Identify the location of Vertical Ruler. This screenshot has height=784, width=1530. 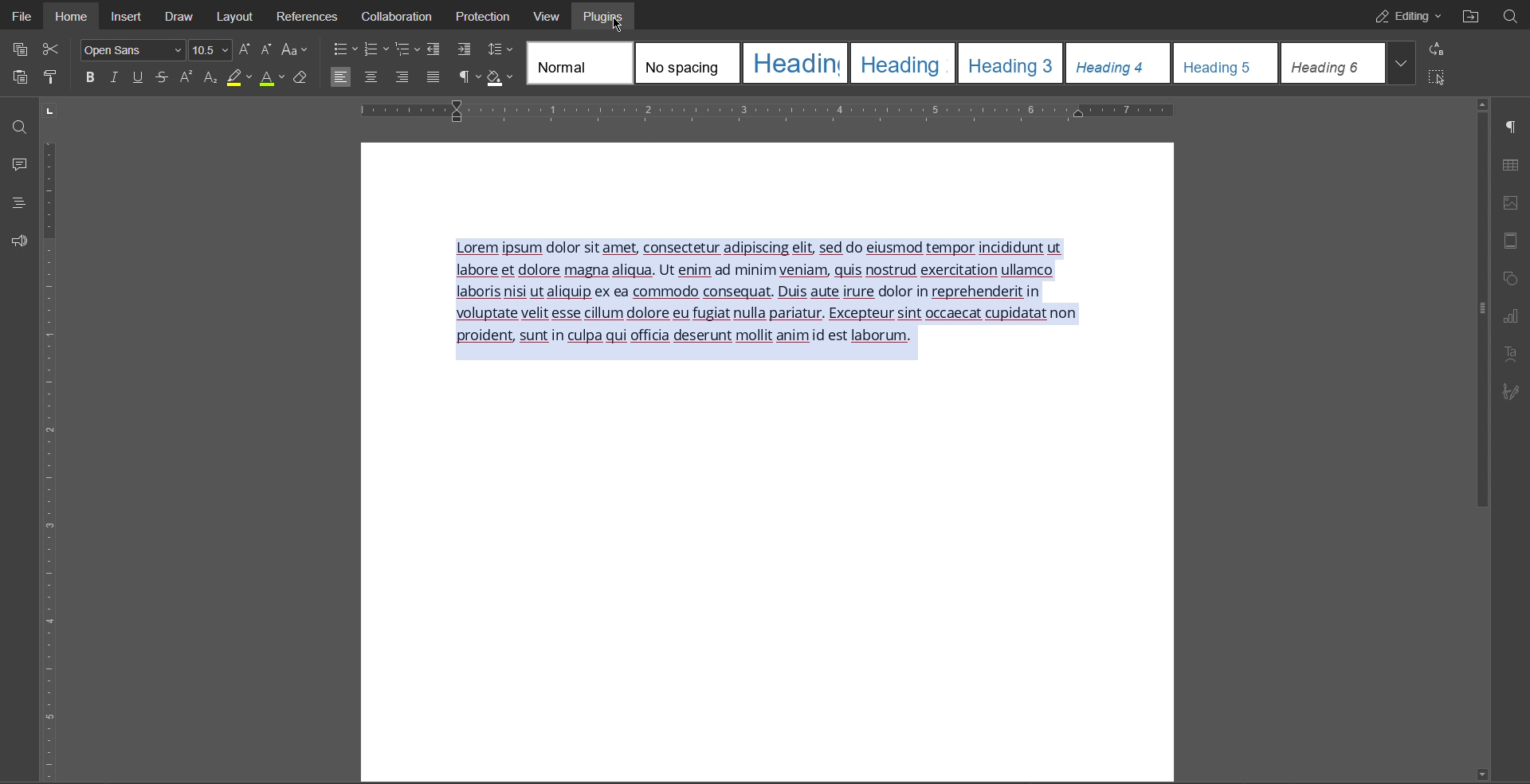
(51, 455).